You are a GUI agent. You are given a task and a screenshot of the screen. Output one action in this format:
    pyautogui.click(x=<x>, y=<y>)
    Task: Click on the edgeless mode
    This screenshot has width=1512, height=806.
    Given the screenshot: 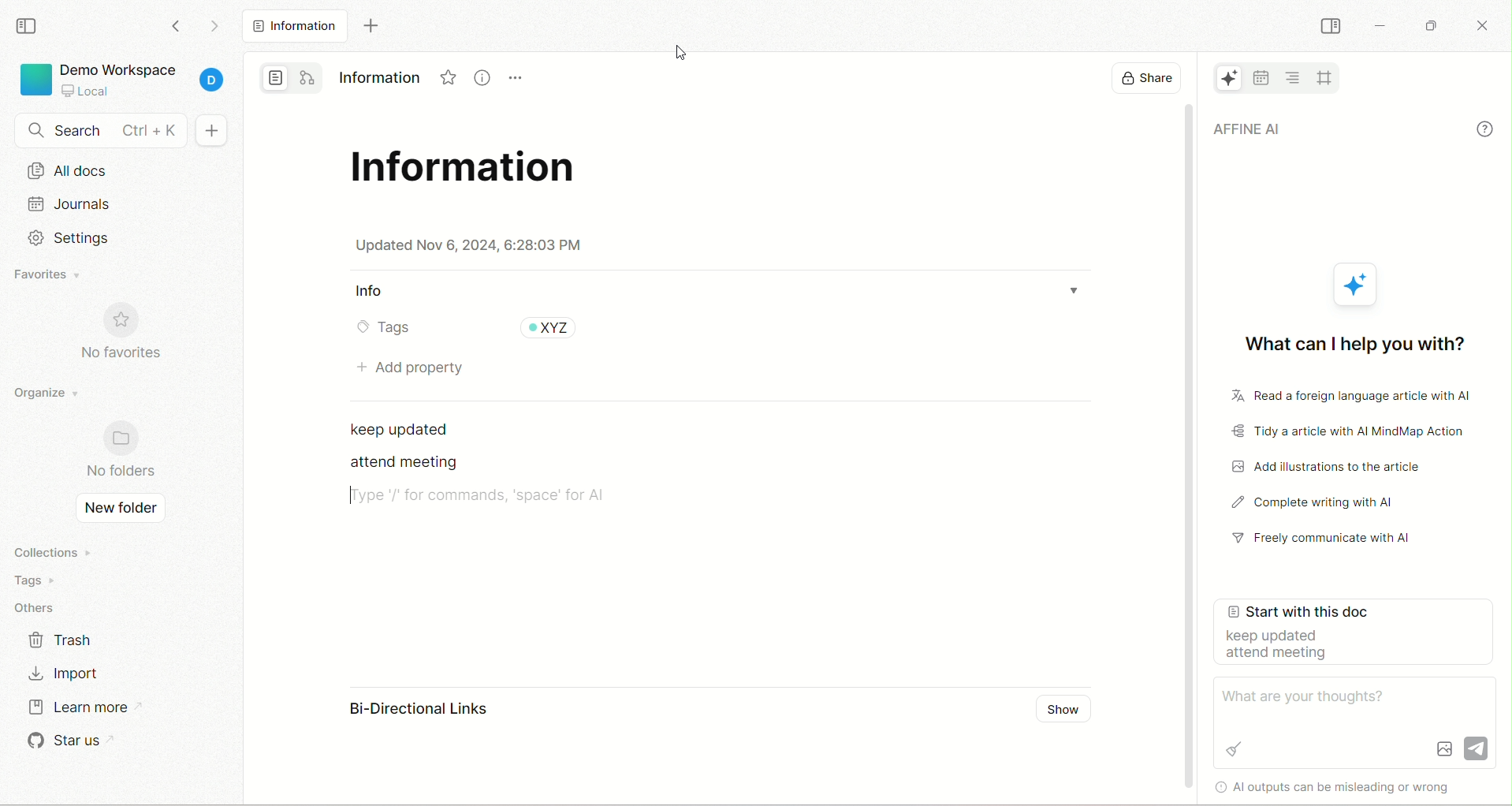 What is the action you would take?
    pyautogui.click(x=308, y=77)
    